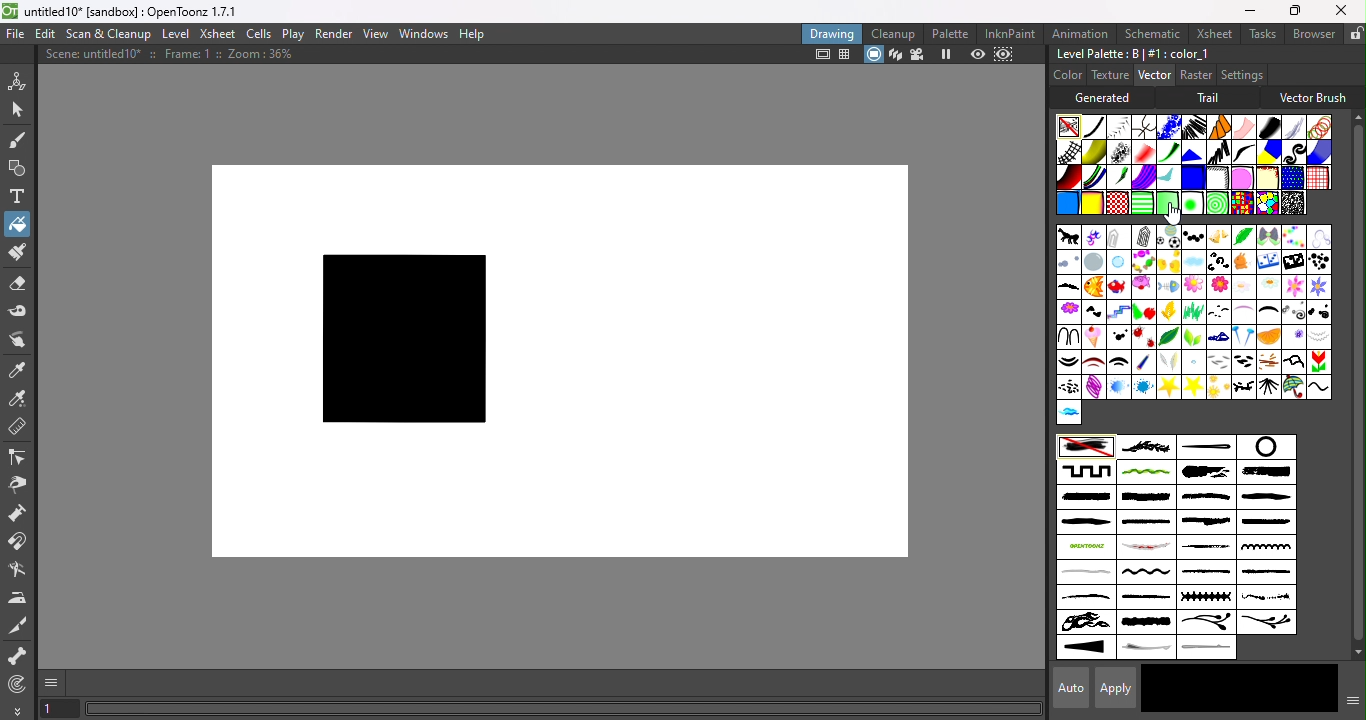  Describe the element at coordinates (1291, 202) in the screenshot. I see `Chalk` at that location.